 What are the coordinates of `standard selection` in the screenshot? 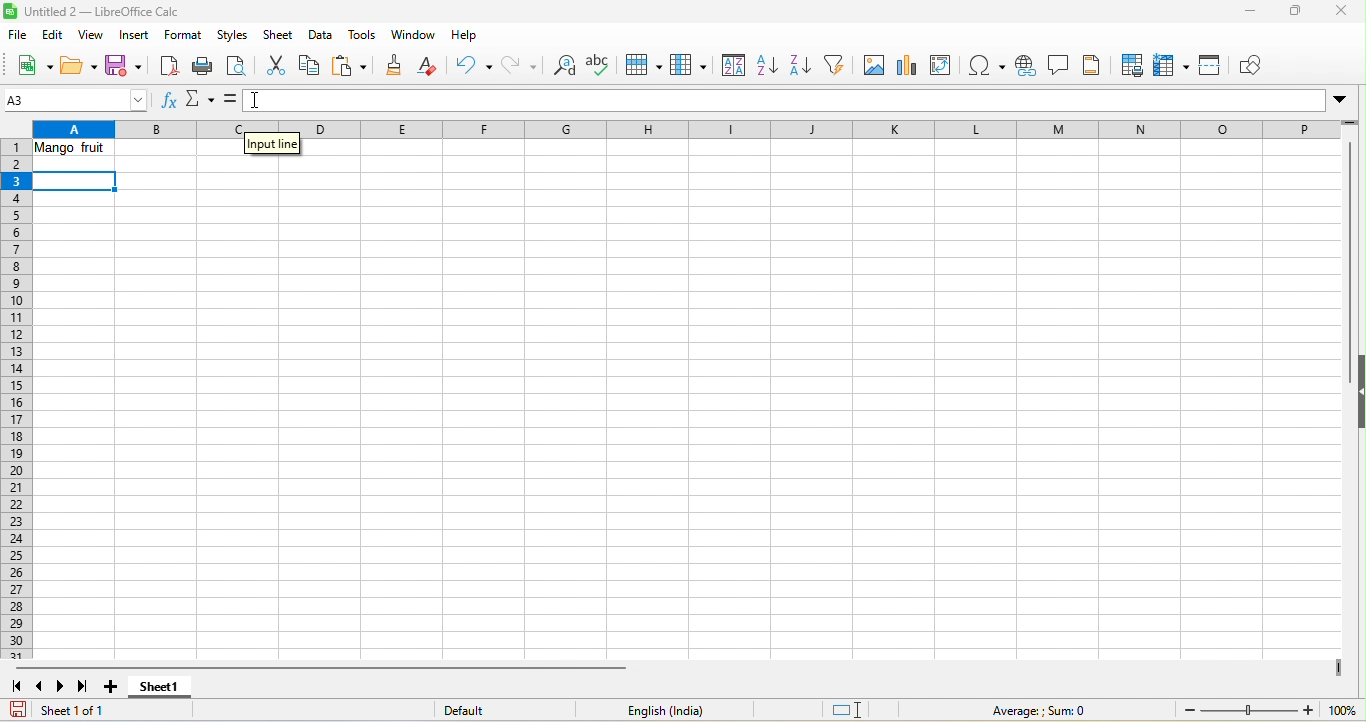 It's located at (853, 709).